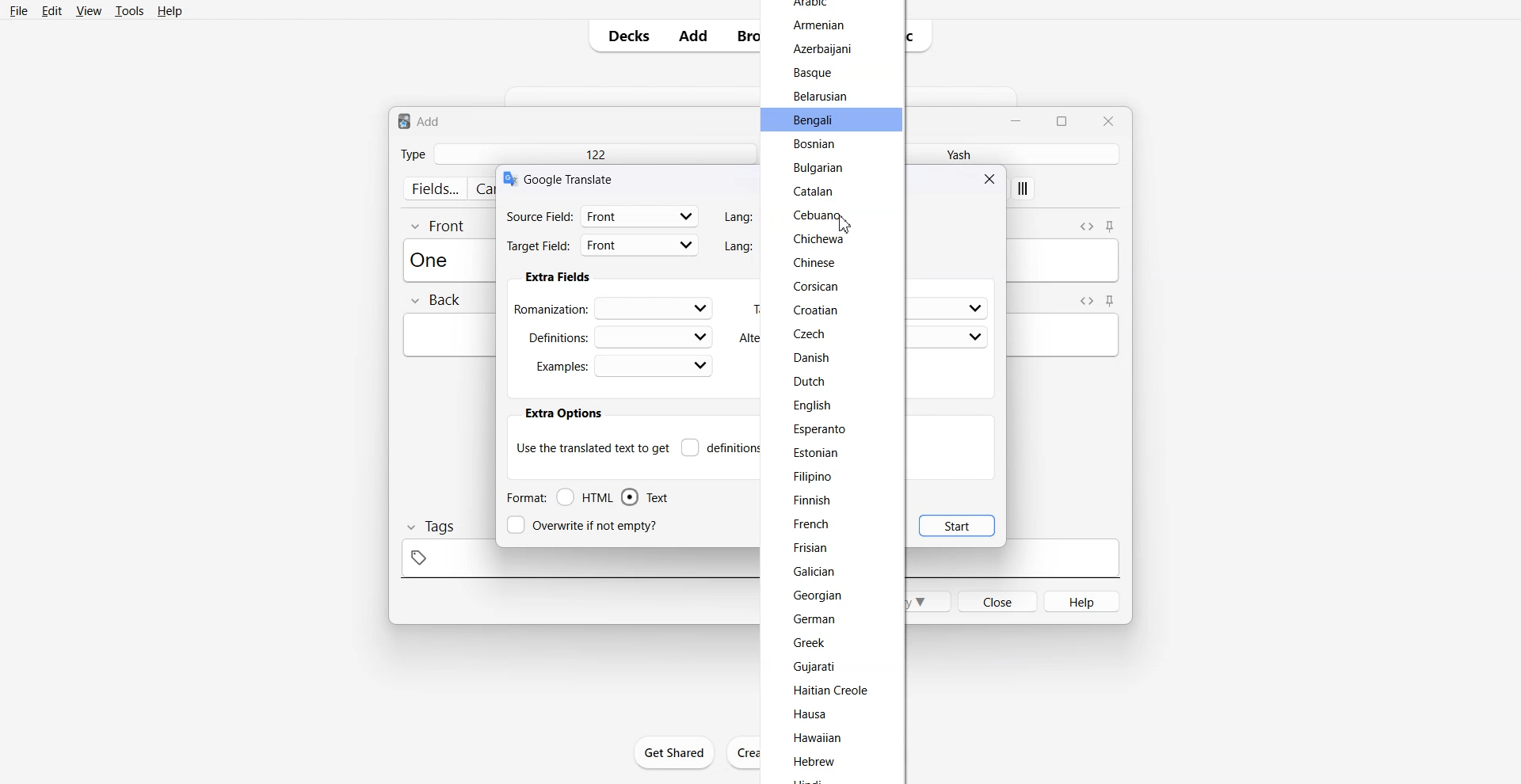 The image size is (1521, 784). What do you see at coordinates (815, 286) in the screenshot?
I see `Corsican` at bounding box center [815, 286].